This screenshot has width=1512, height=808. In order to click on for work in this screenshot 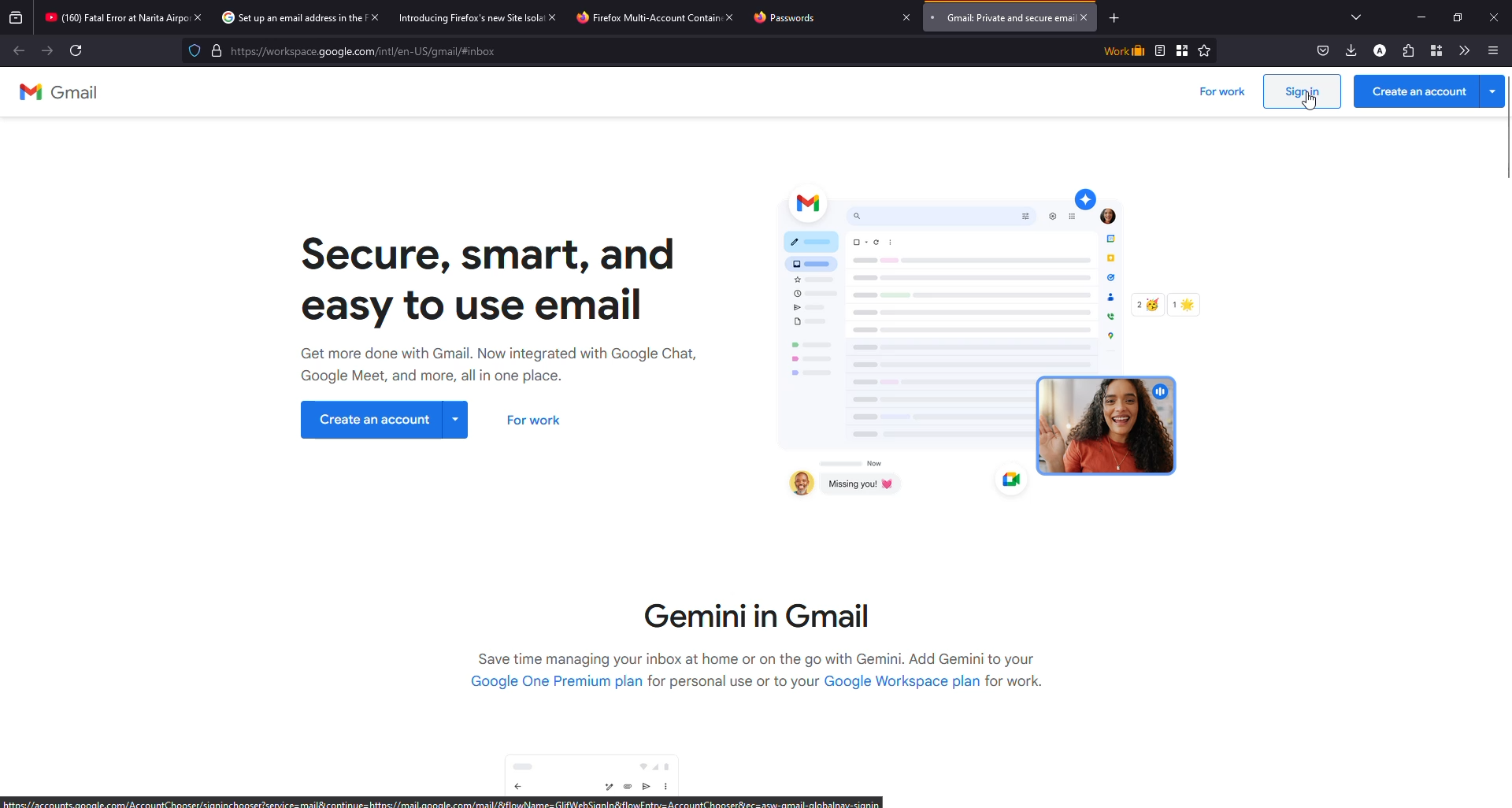, I will do `click(539, 421)`.